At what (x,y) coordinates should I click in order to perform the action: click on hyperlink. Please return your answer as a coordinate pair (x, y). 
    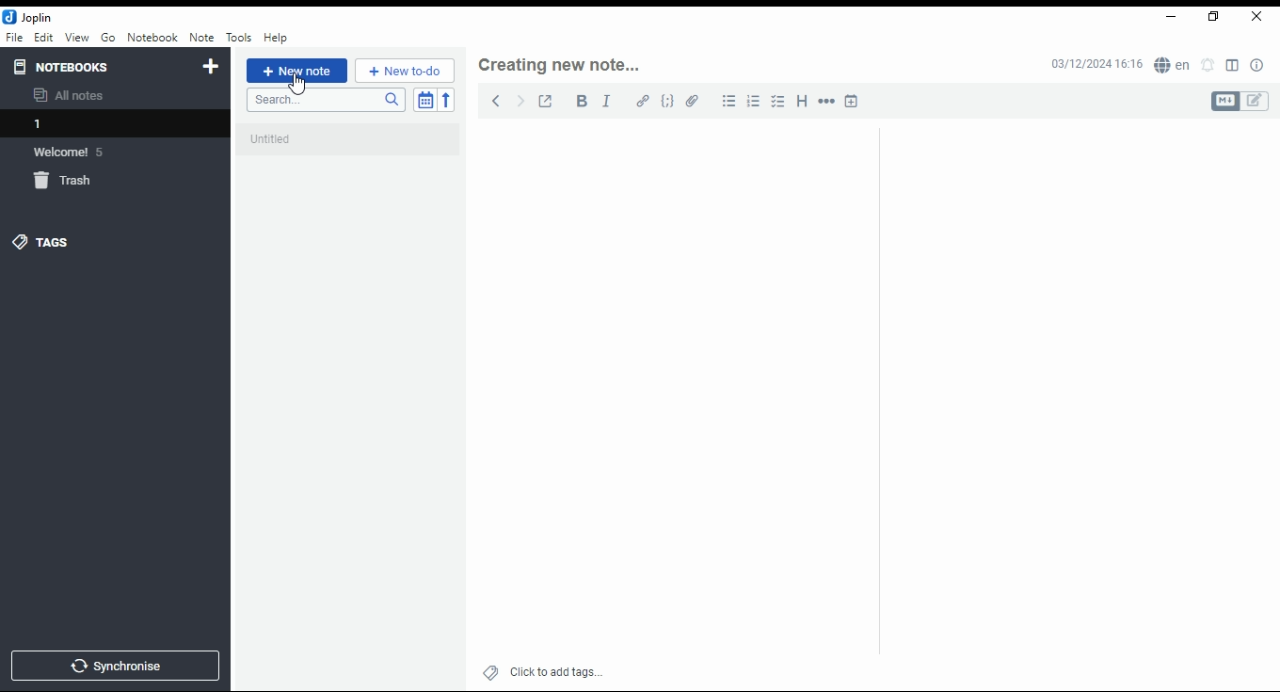
    Looking at the image, I should click on (643, 100).